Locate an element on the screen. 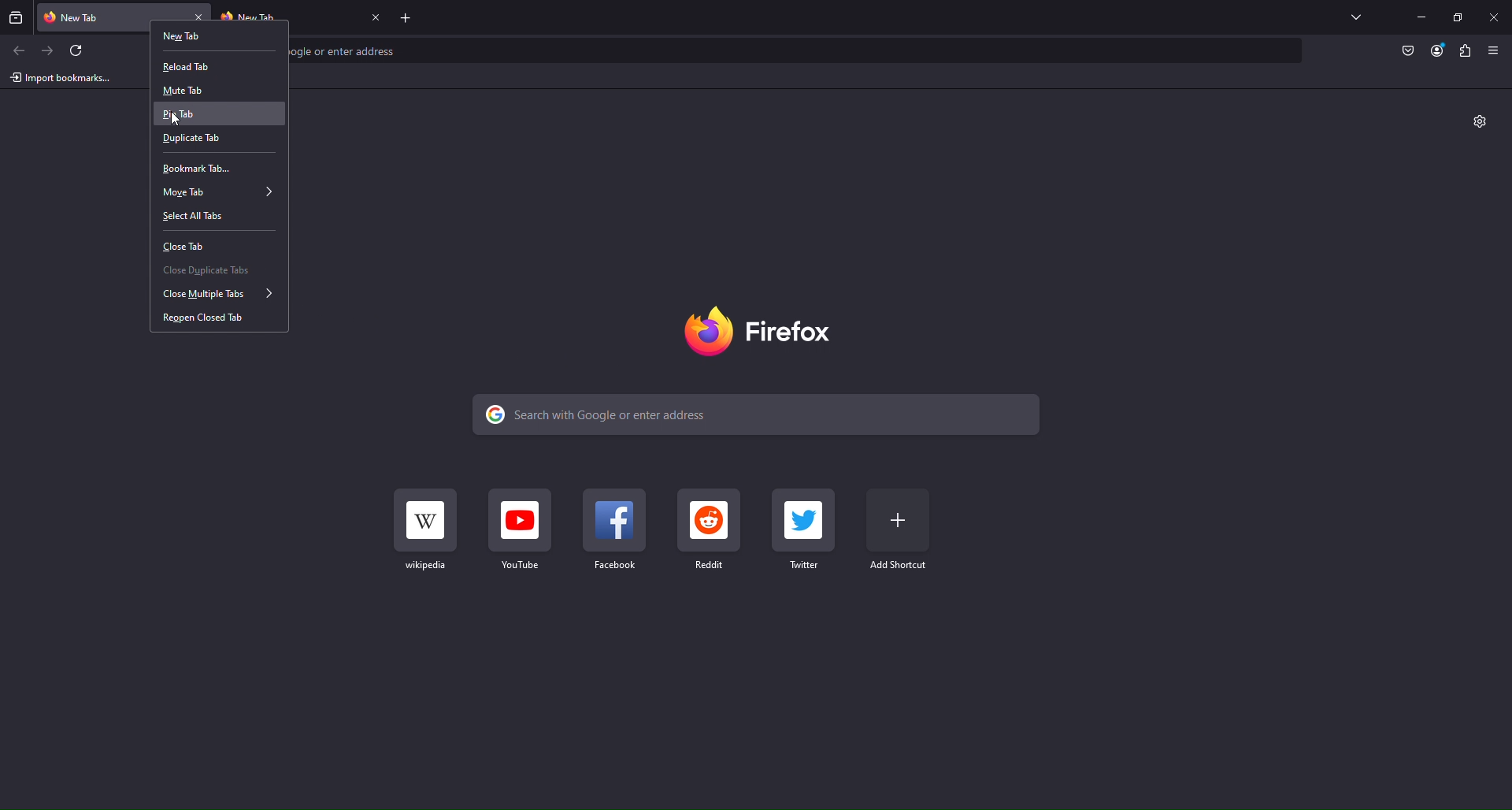 The width and height of the screenshot is (1512, 810). Add New Tab is located at coordinates (409, 17).